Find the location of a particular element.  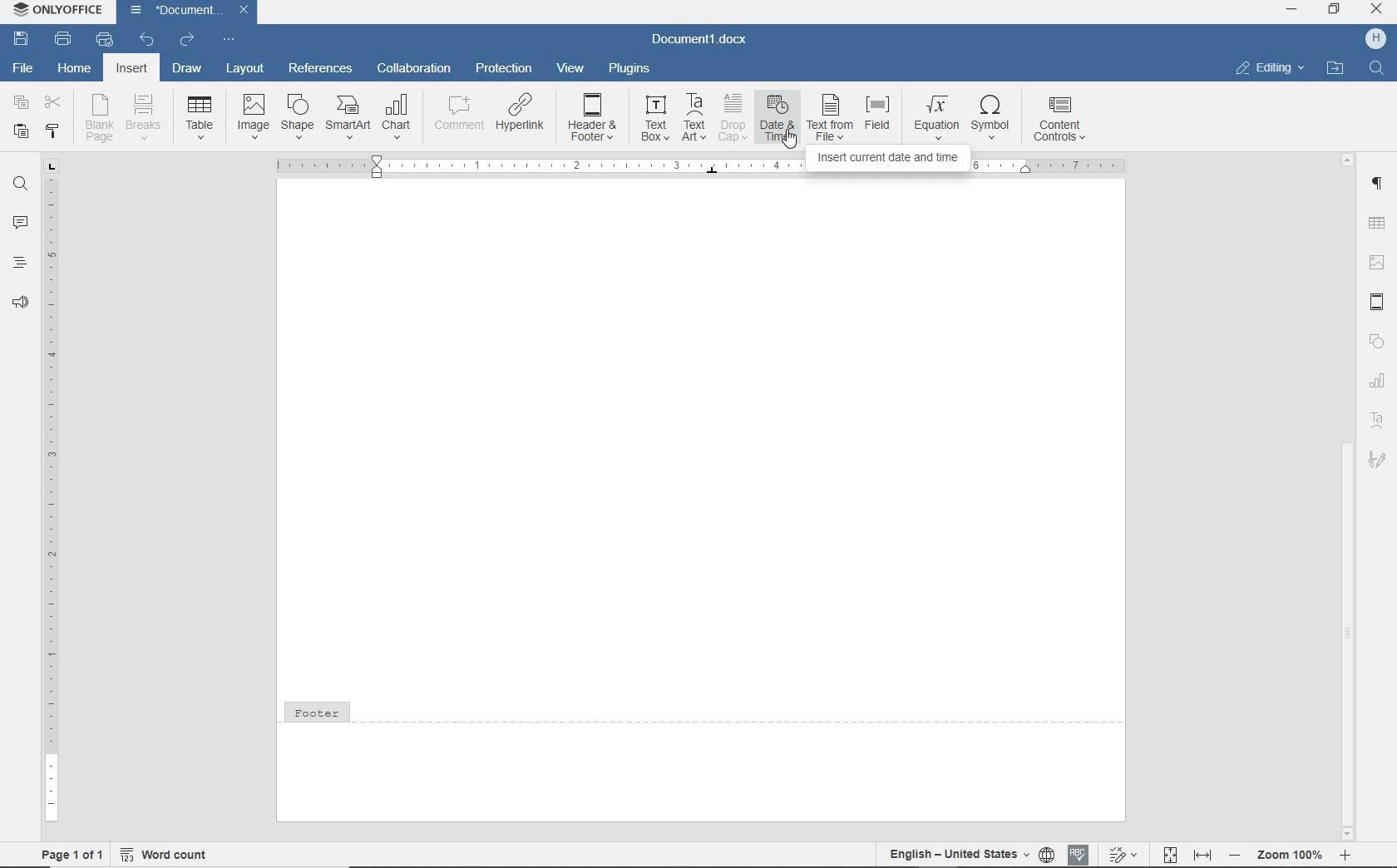

collaboration is located at coordinates (412, 70).